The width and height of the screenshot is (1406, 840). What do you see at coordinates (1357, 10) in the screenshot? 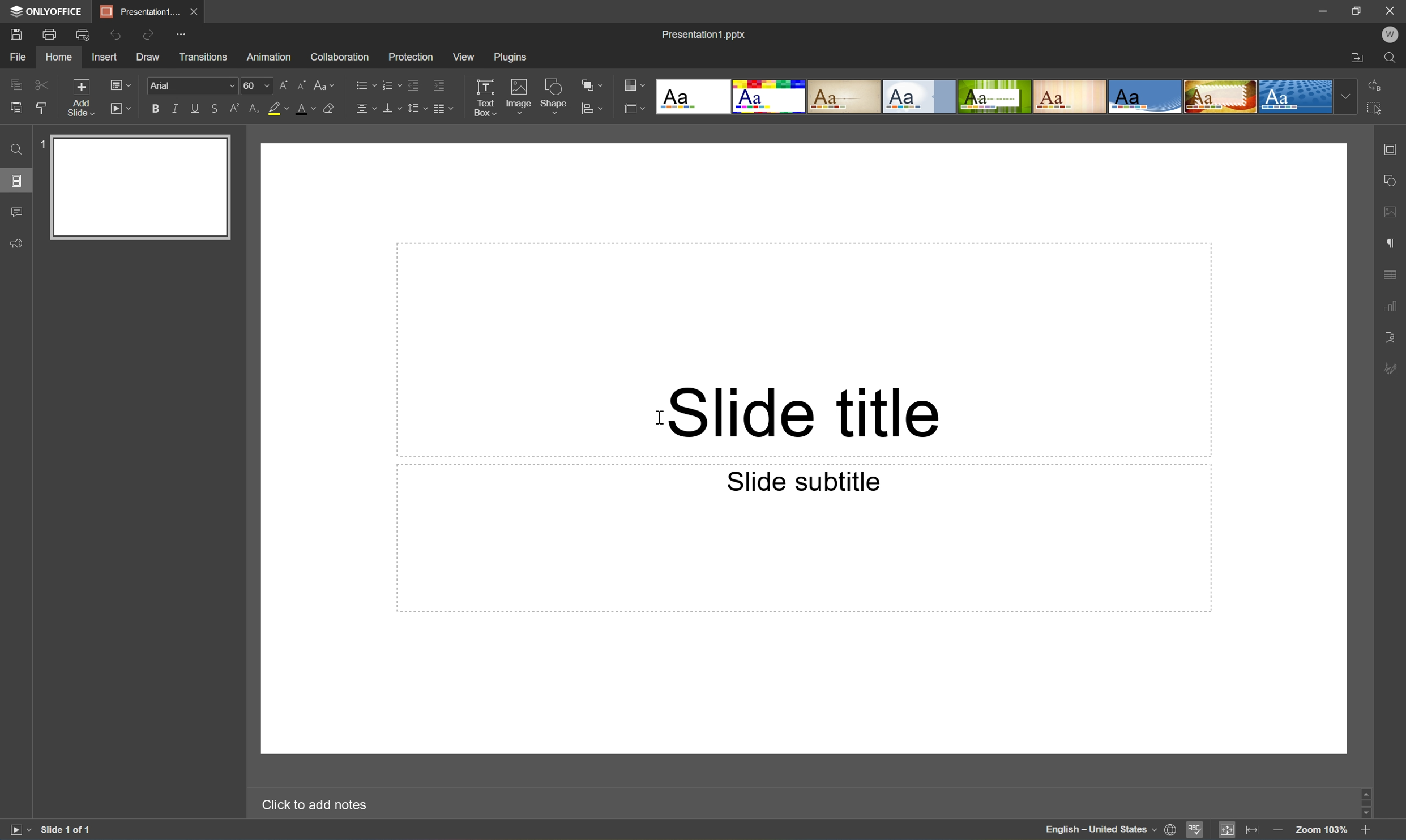
I see `Restore Down` at bounding box center [1357, 10].